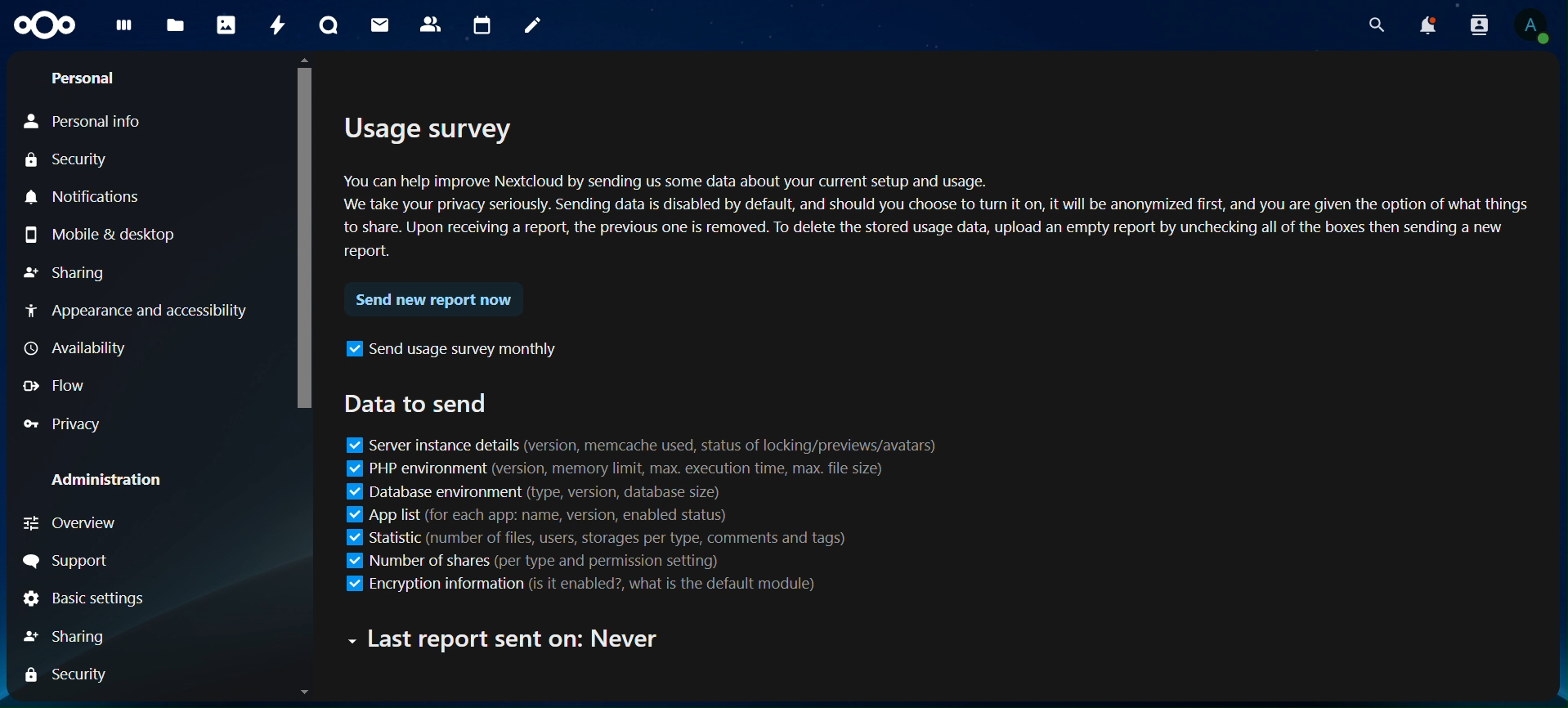  What do you see at coordinates (483, 23) in the screenshot?
I see `calendar` at bounding box center [483, 23].